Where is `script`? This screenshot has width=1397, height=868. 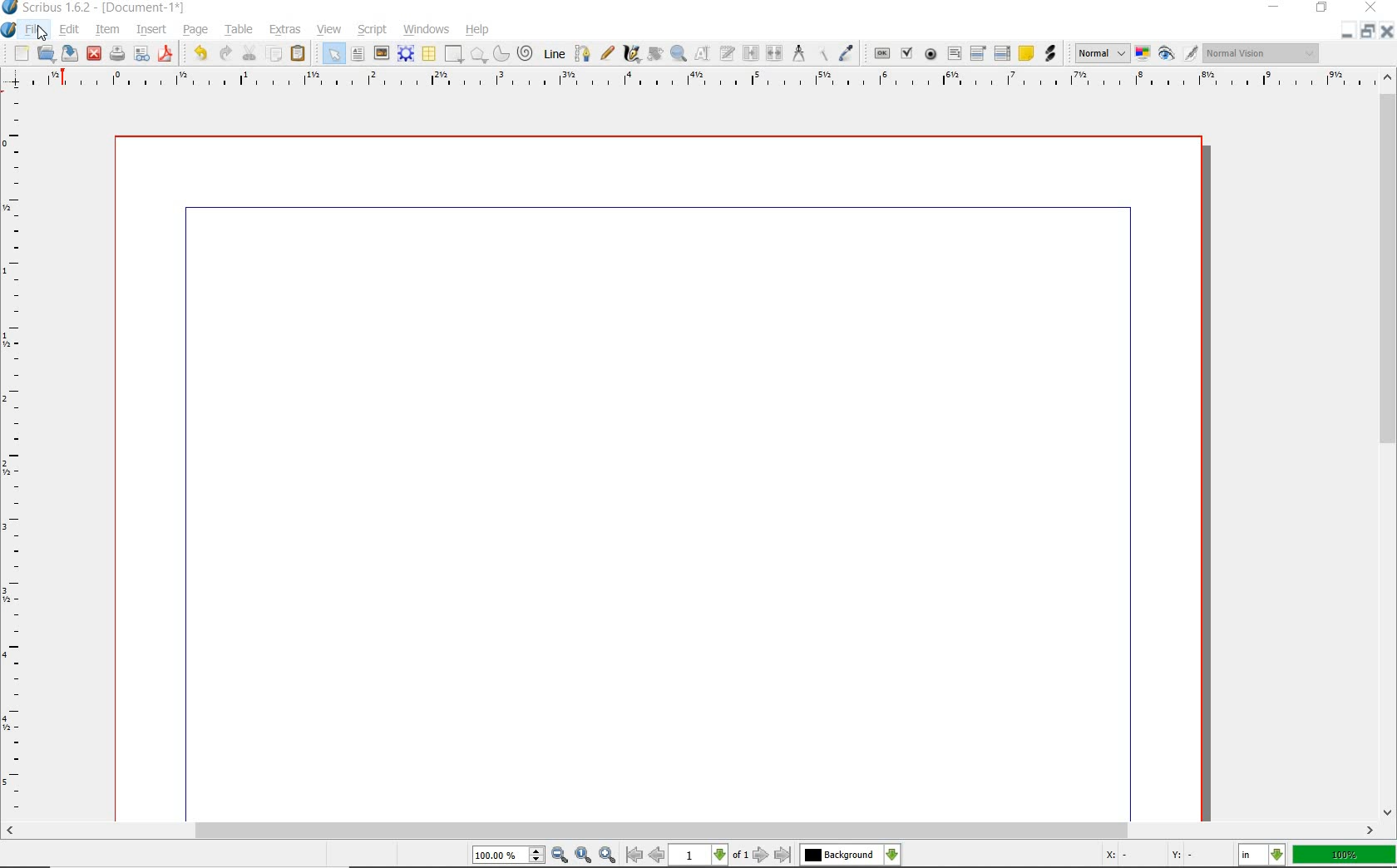 script is located at coordinates (373, 30).